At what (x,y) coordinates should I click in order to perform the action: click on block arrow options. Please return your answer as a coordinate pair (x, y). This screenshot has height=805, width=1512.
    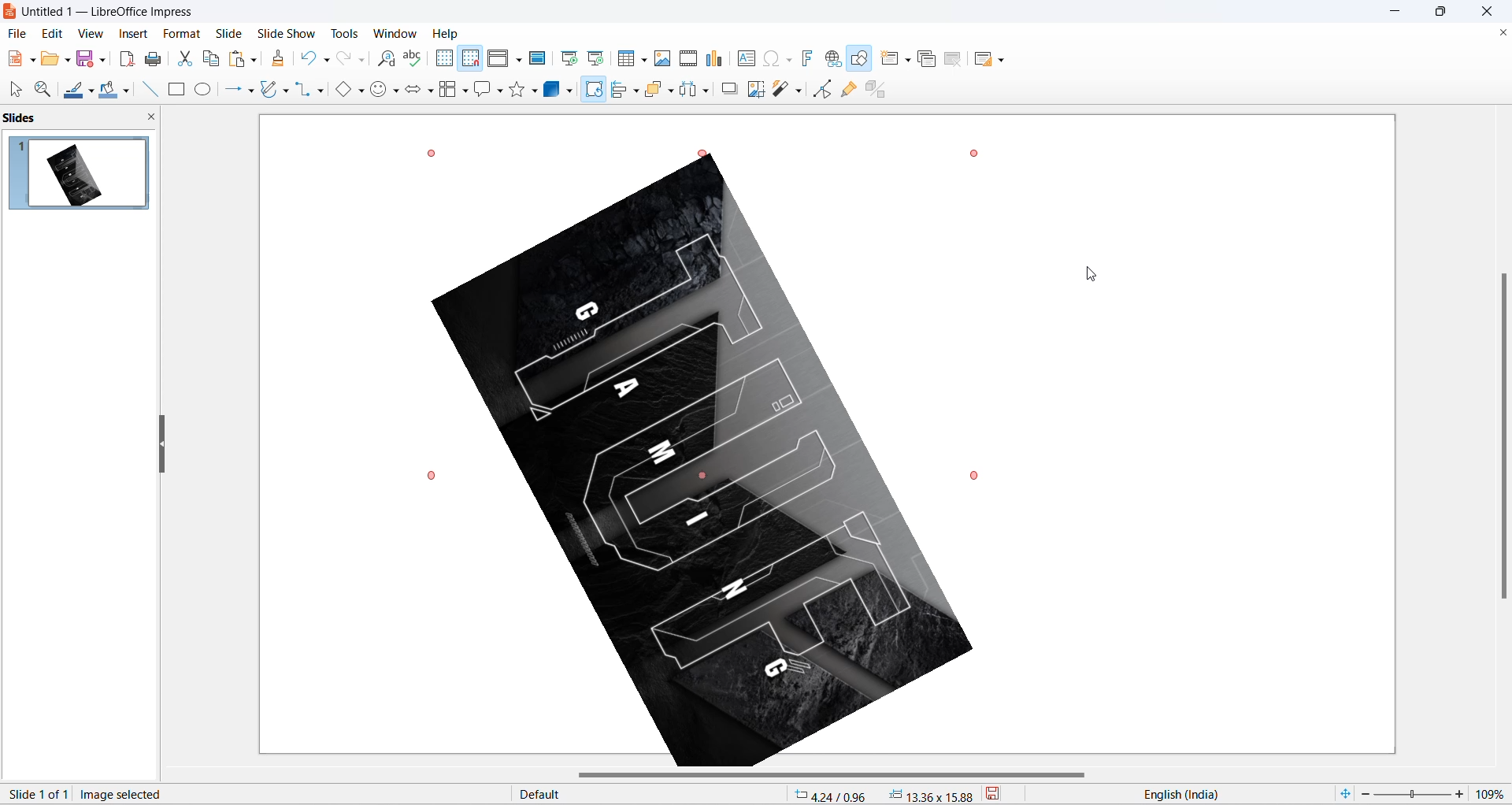
    Looking at the image, I should click on (431, 92).